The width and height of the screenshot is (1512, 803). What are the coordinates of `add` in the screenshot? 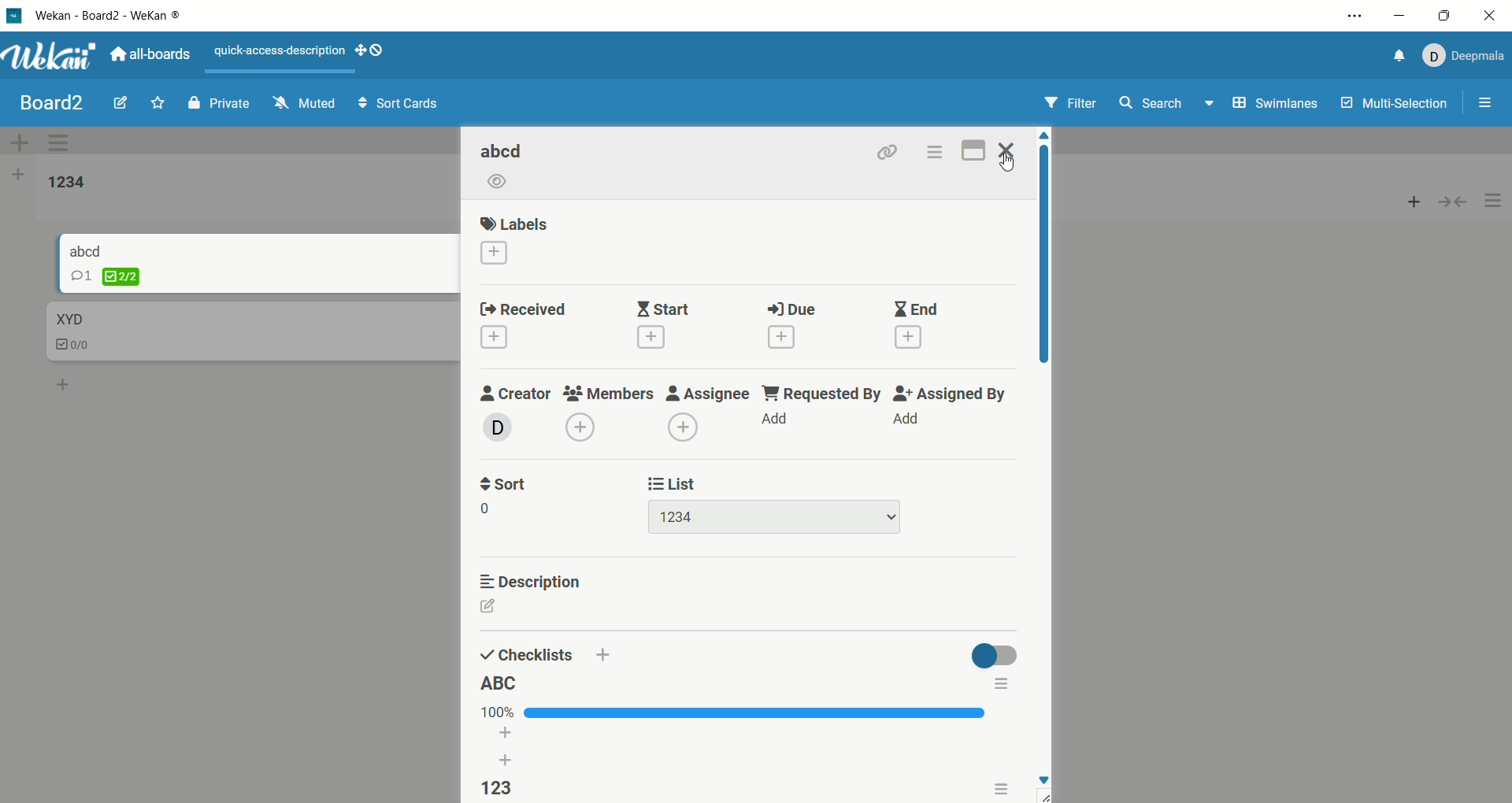 It's located at (610, 654).